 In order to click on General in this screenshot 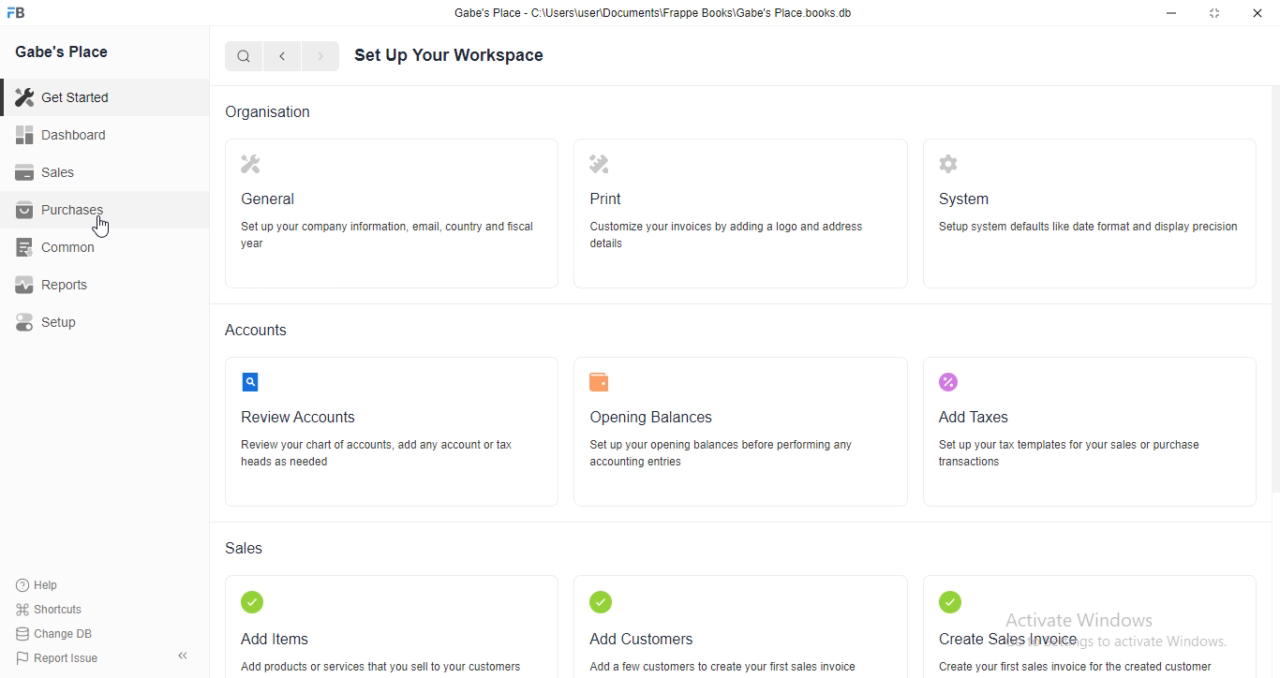, I will do `click(273, 198)`.